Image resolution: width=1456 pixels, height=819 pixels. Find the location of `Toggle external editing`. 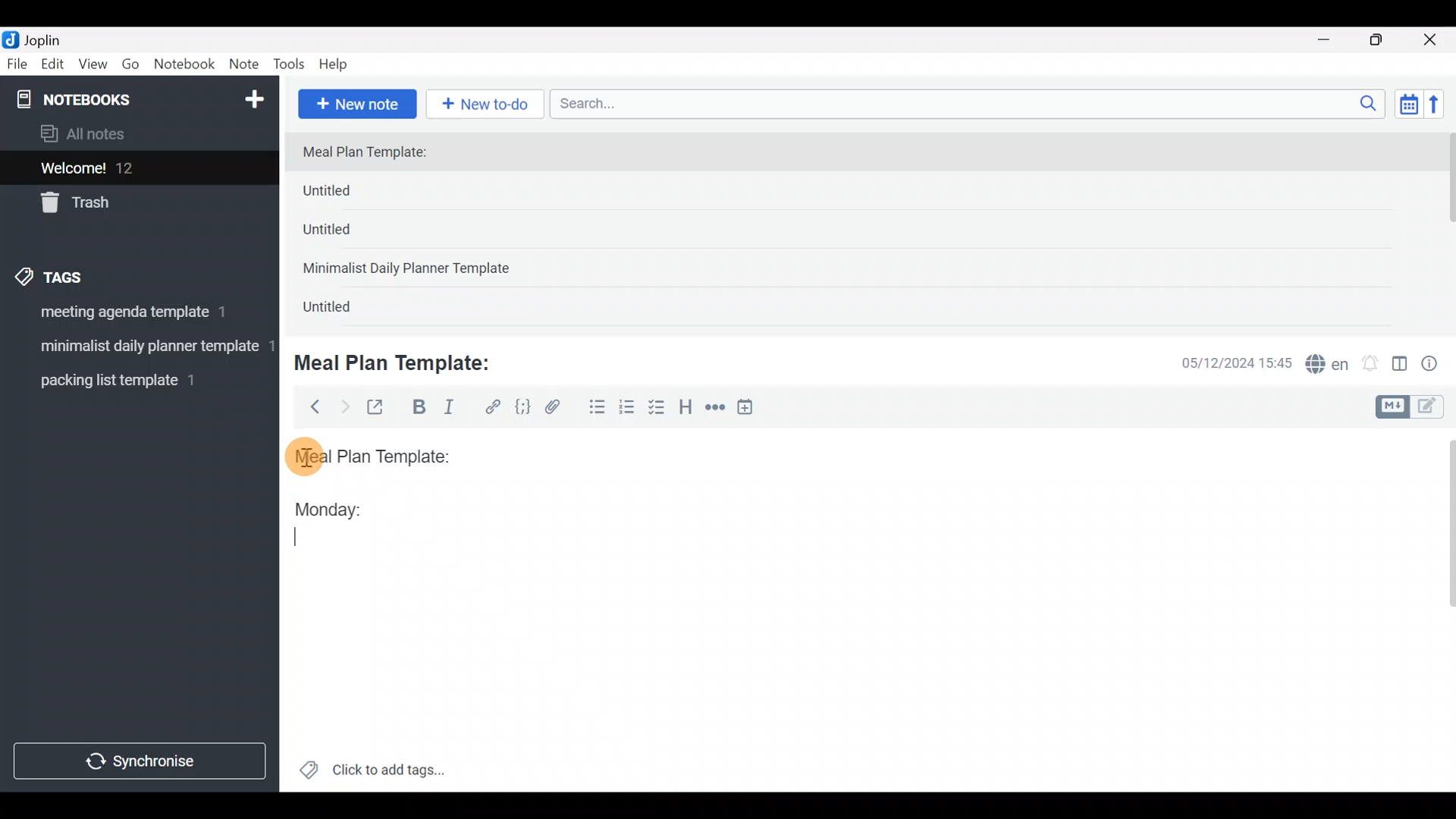

Toggle external editing is located at coordinates (381, 408).